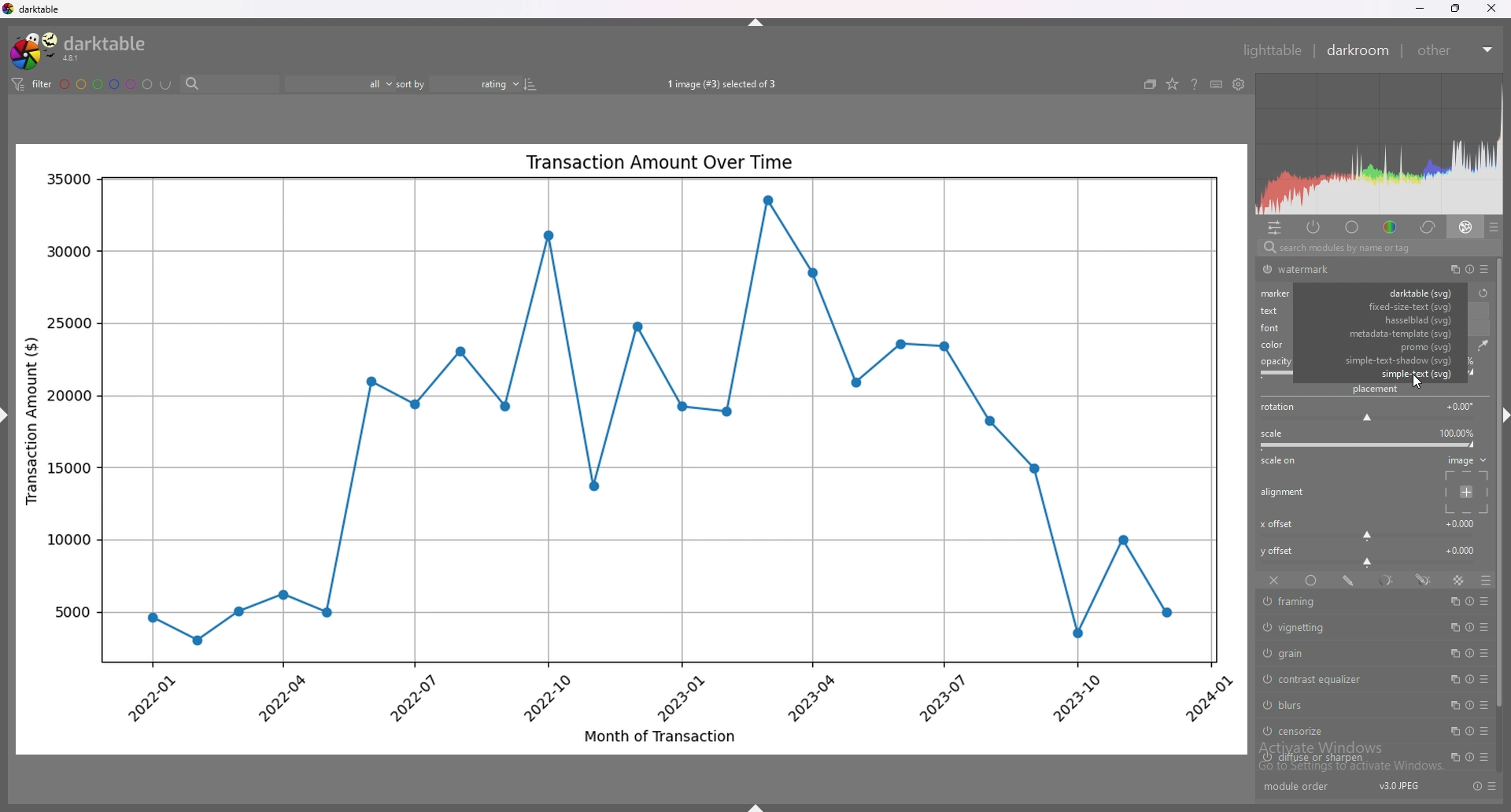 This screenshot has height=812, width=1511. Describe the element at coordinates (1388, 580) in the screenshot. I see `parametric mask` at that location.